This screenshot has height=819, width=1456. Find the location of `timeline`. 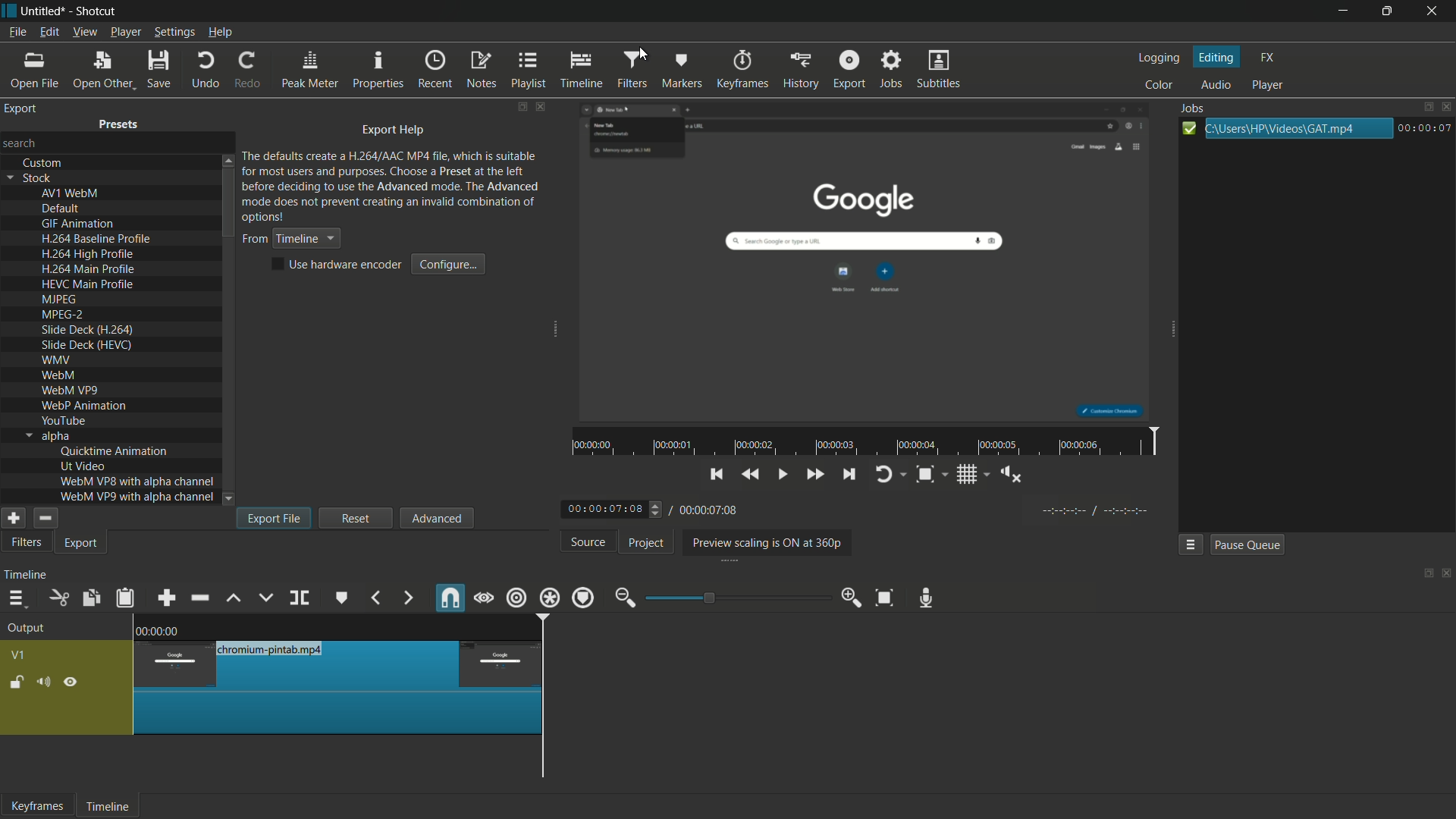

timeline is located at coordinates (582, 70).